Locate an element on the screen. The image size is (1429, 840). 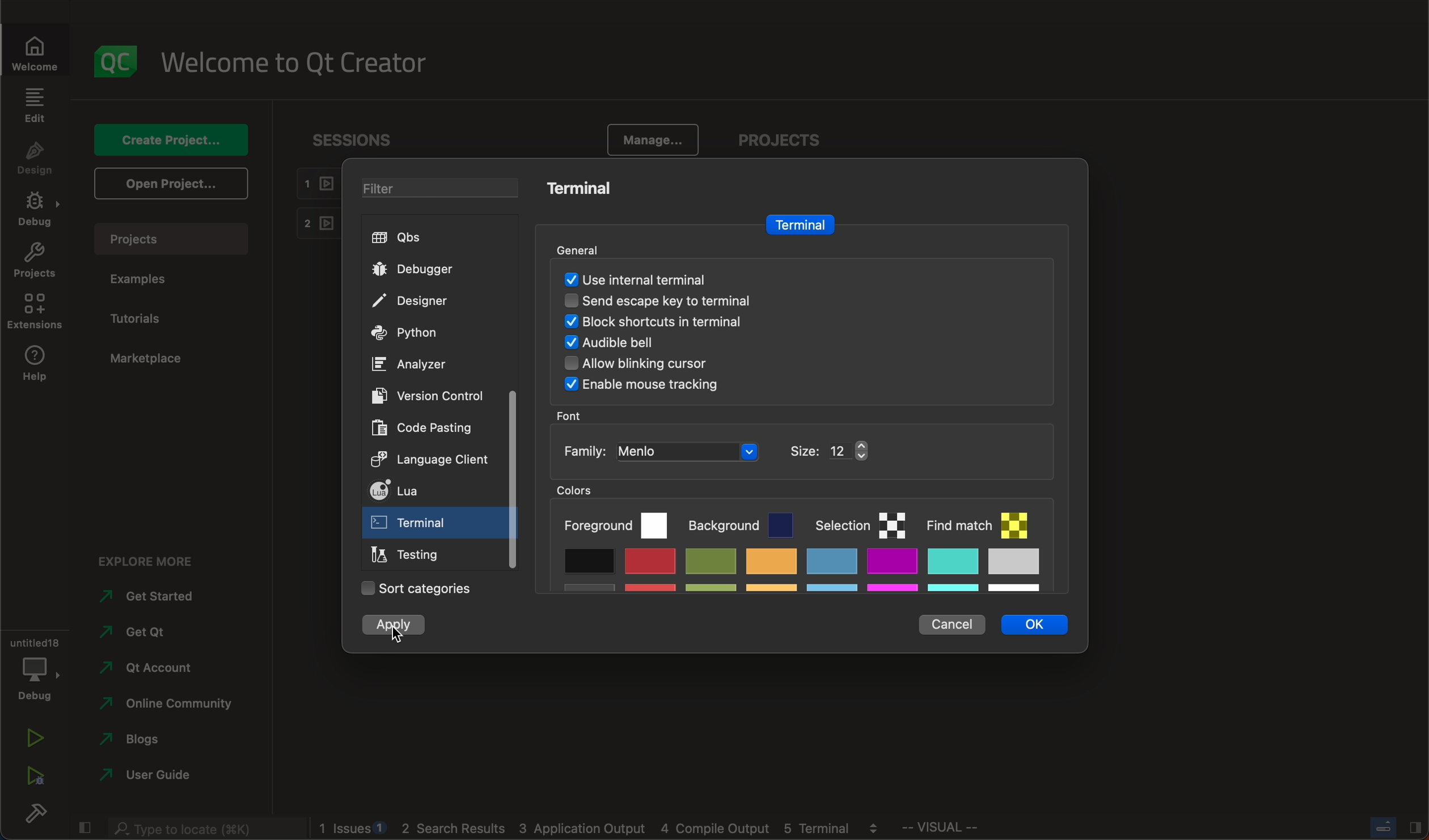
cancel is located at coordinates (950, 623).